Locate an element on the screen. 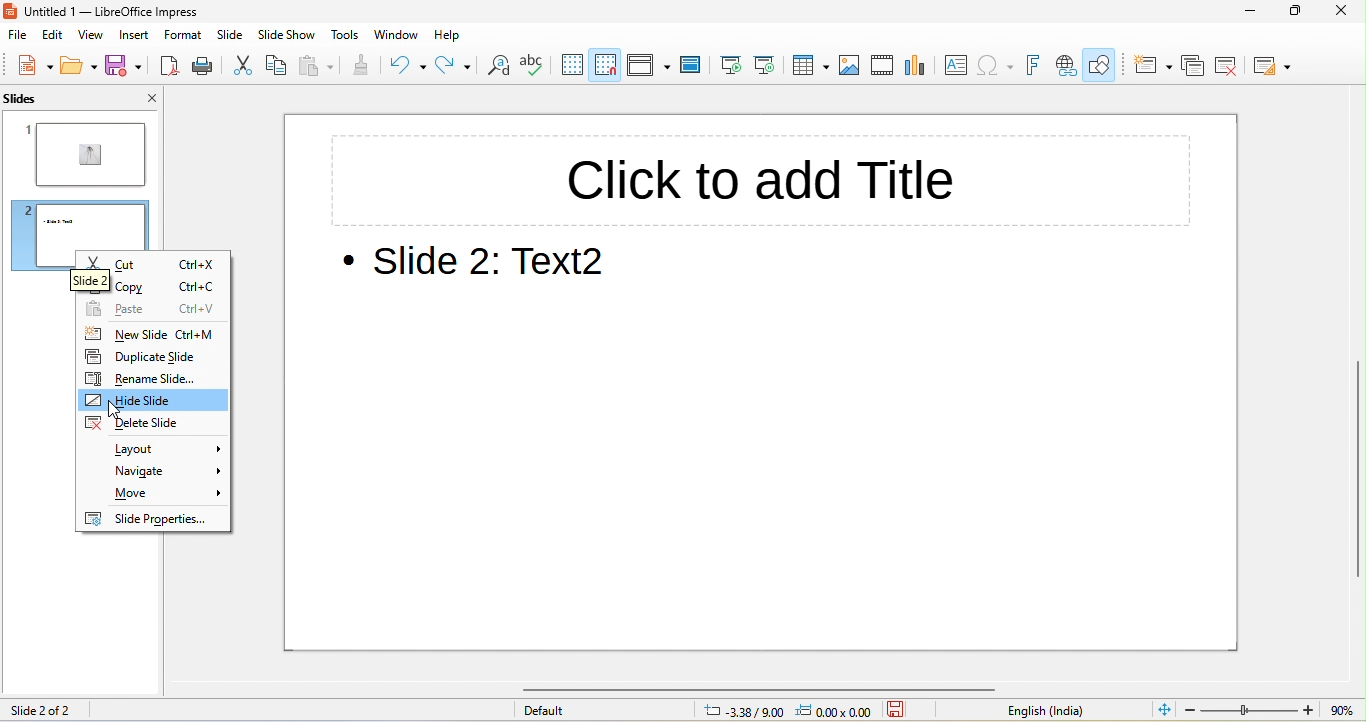 This screenshot has height=722, width=1366. horizontal scroll bar is located at coordinates (777, 688).